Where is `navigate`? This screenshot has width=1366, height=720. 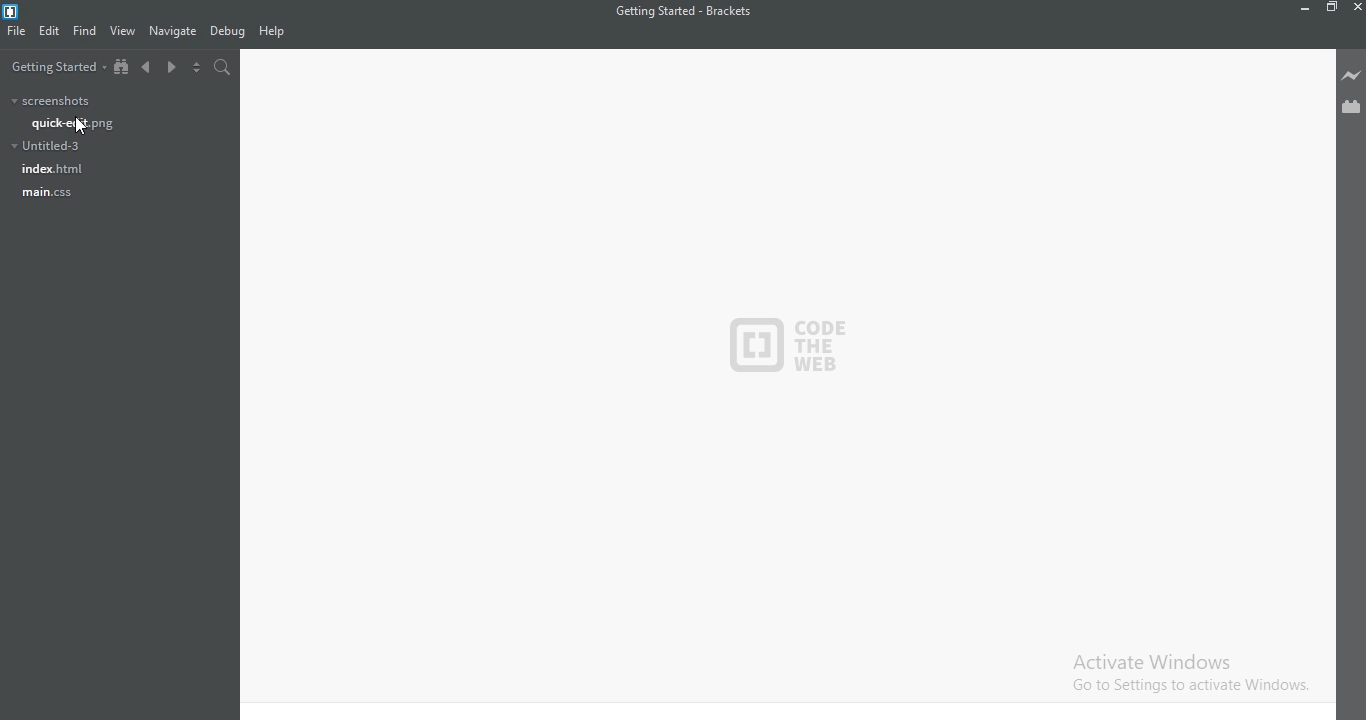
navigate is located at coordinates (172, 31).